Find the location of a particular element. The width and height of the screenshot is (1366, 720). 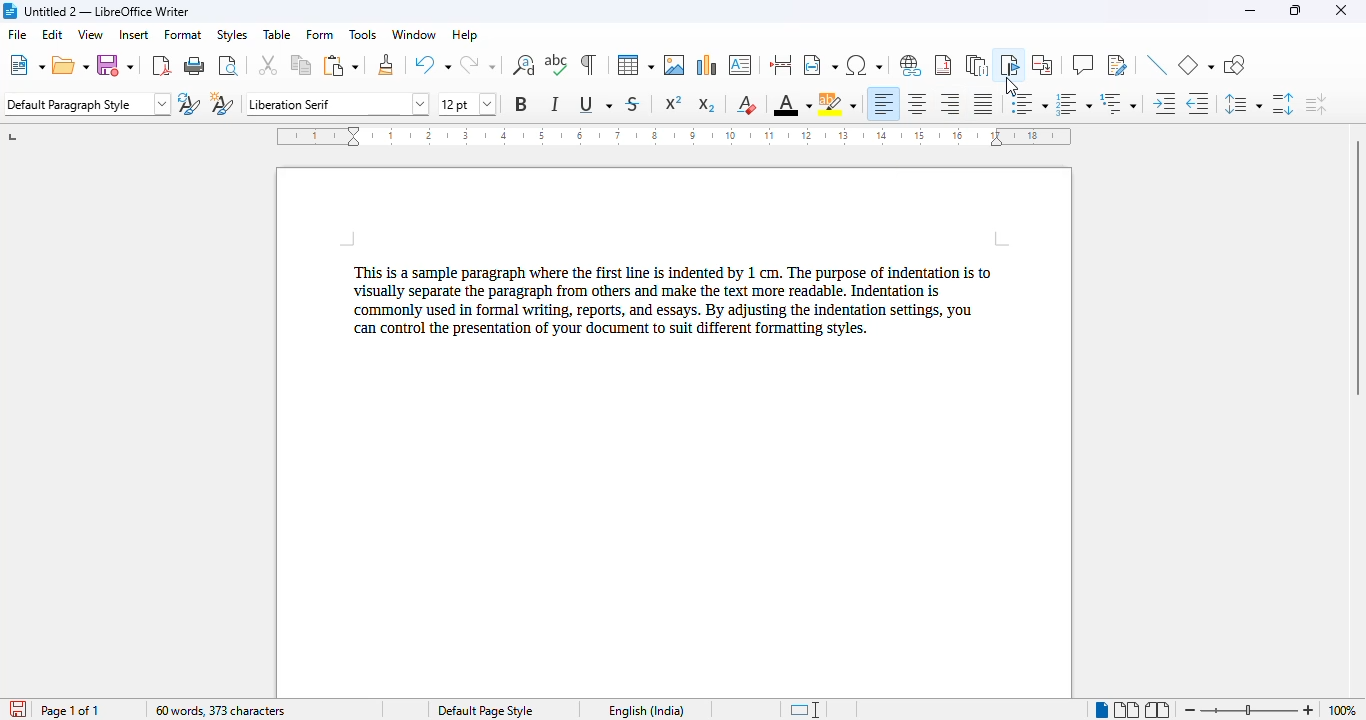

table is located at coordinates (277, 34).